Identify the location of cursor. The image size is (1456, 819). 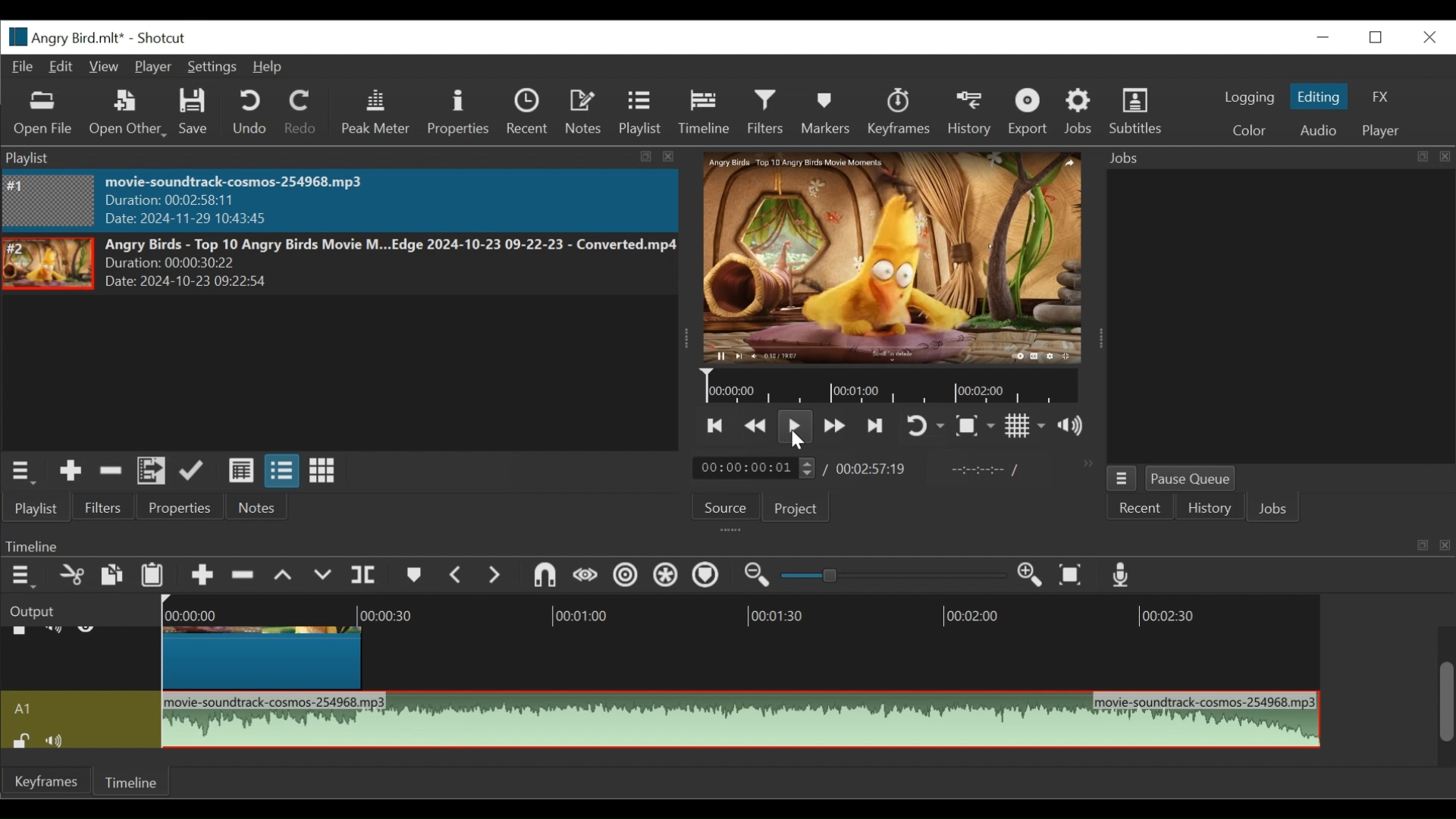
(802, 441).